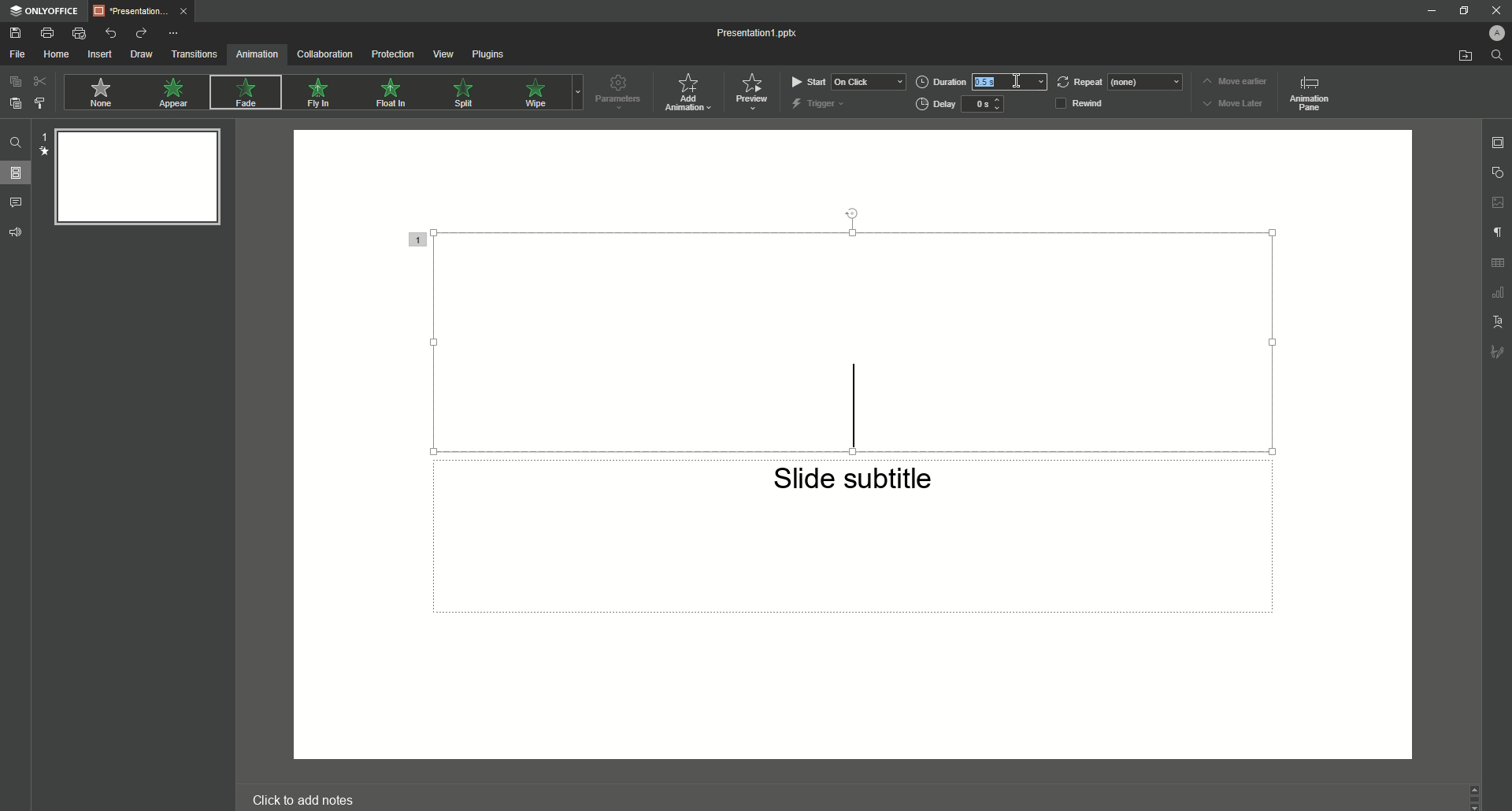  What do you see at coordinates (142, 34) in the screenshot?
I see `Redo` at bounding box center [142, 34].